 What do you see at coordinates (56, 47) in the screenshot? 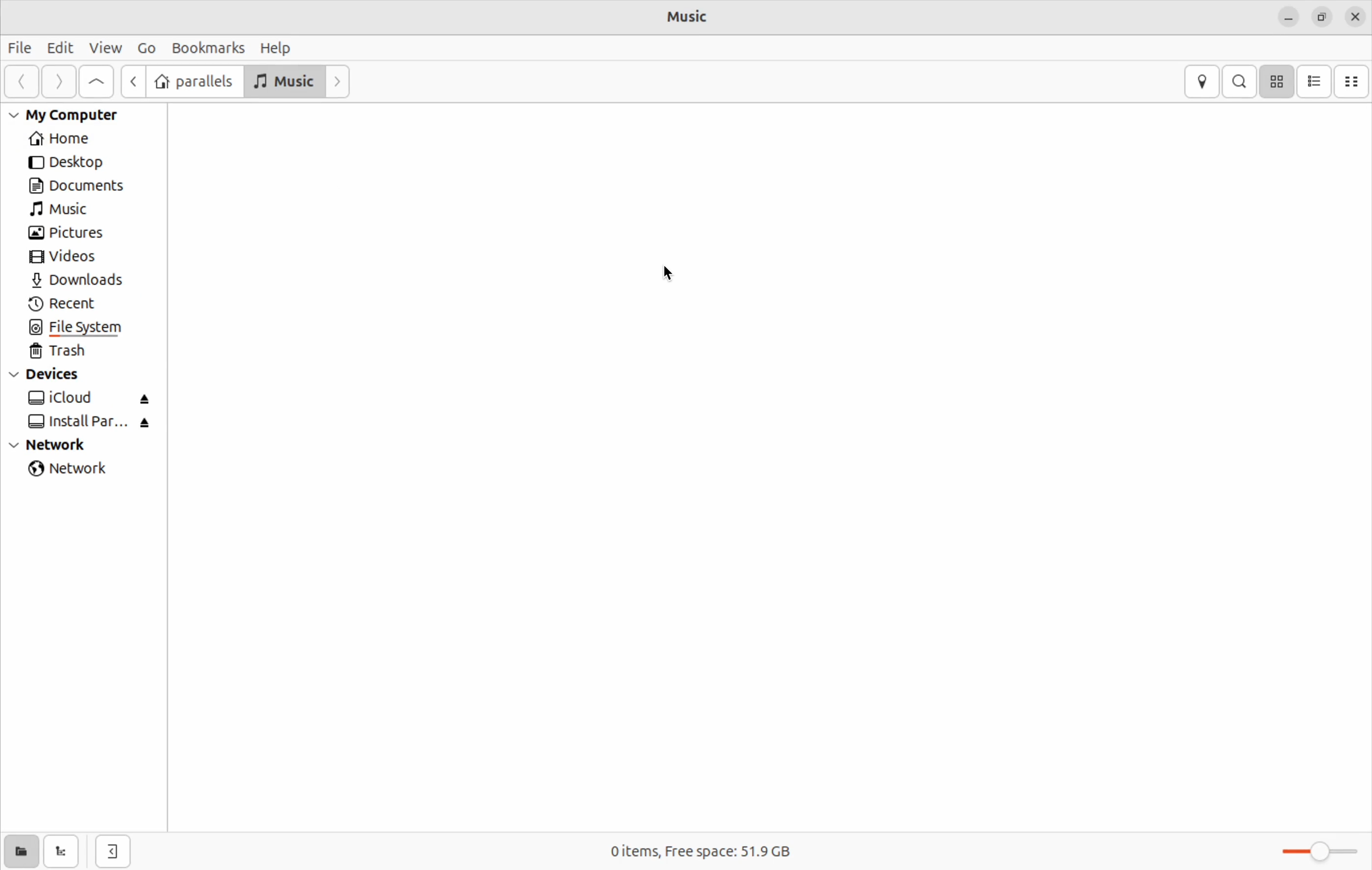
I see `Edit` at bounding box center [56, 47].